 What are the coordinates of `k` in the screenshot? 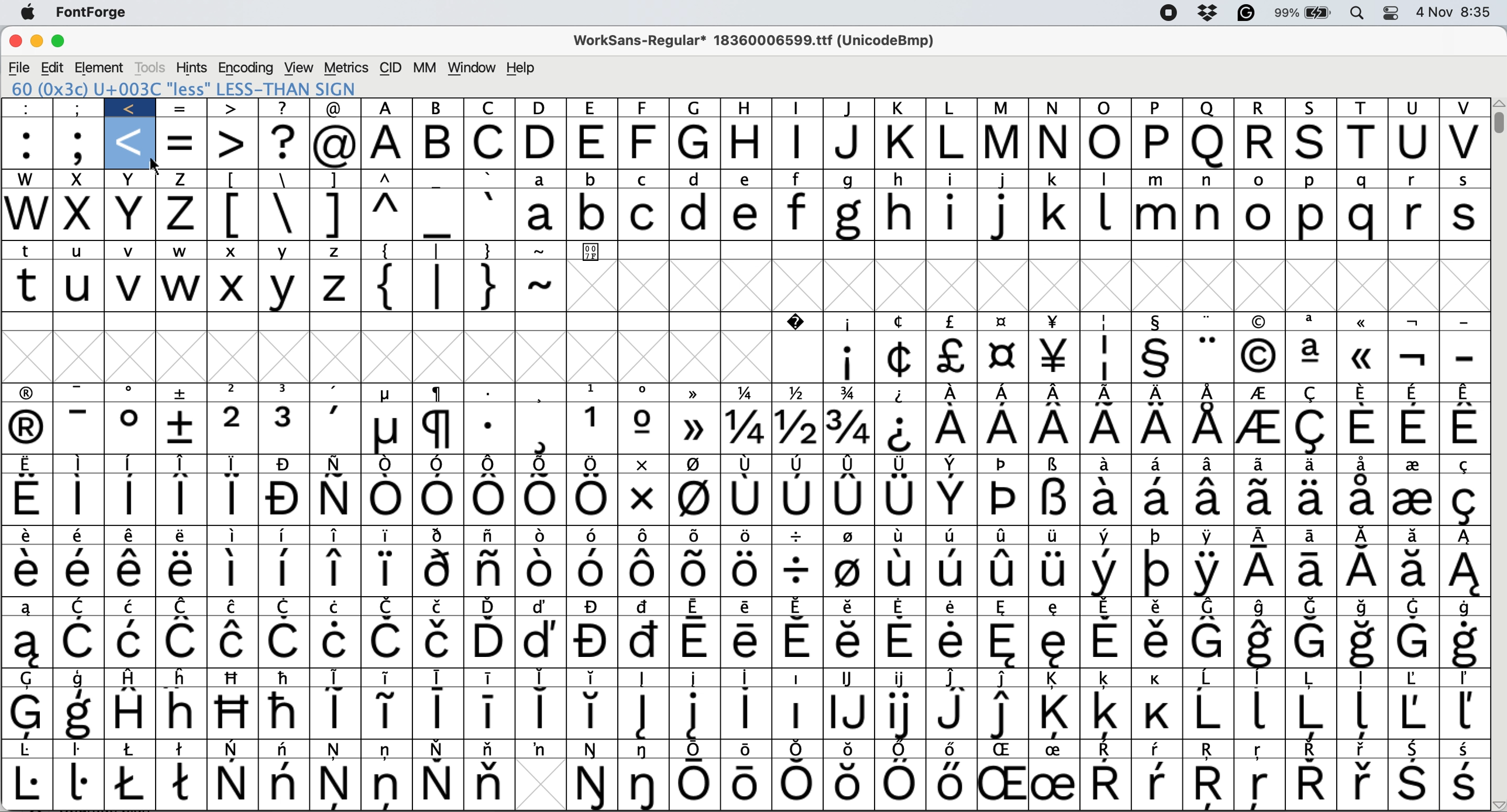 It's located at (904, 109).